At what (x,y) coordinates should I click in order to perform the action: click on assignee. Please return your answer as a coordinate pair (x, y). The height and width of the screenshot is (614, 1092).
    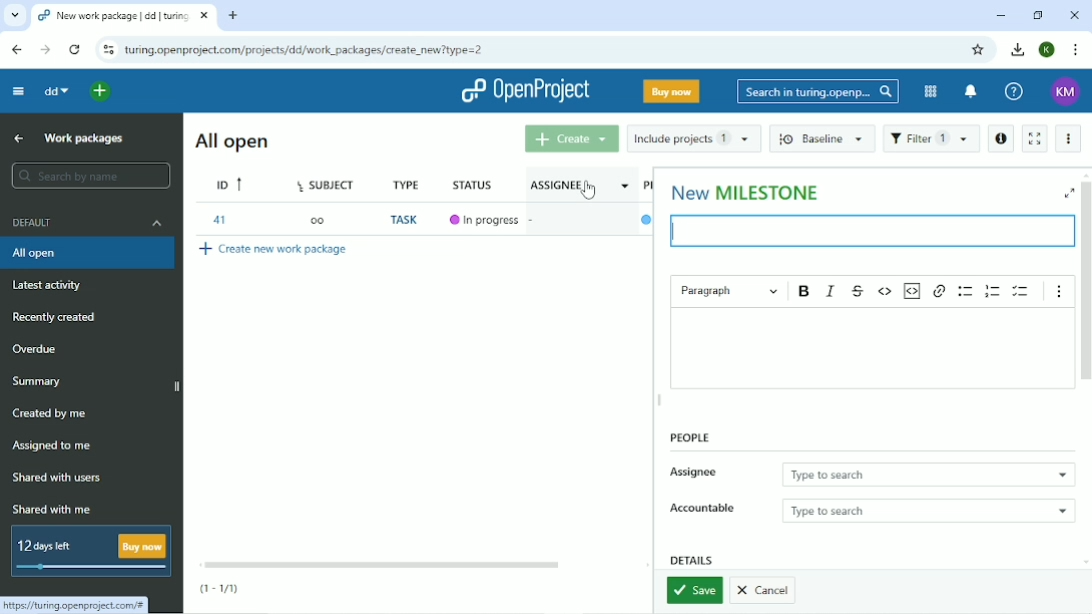
    Looking at the image, I should click on (560, 182).